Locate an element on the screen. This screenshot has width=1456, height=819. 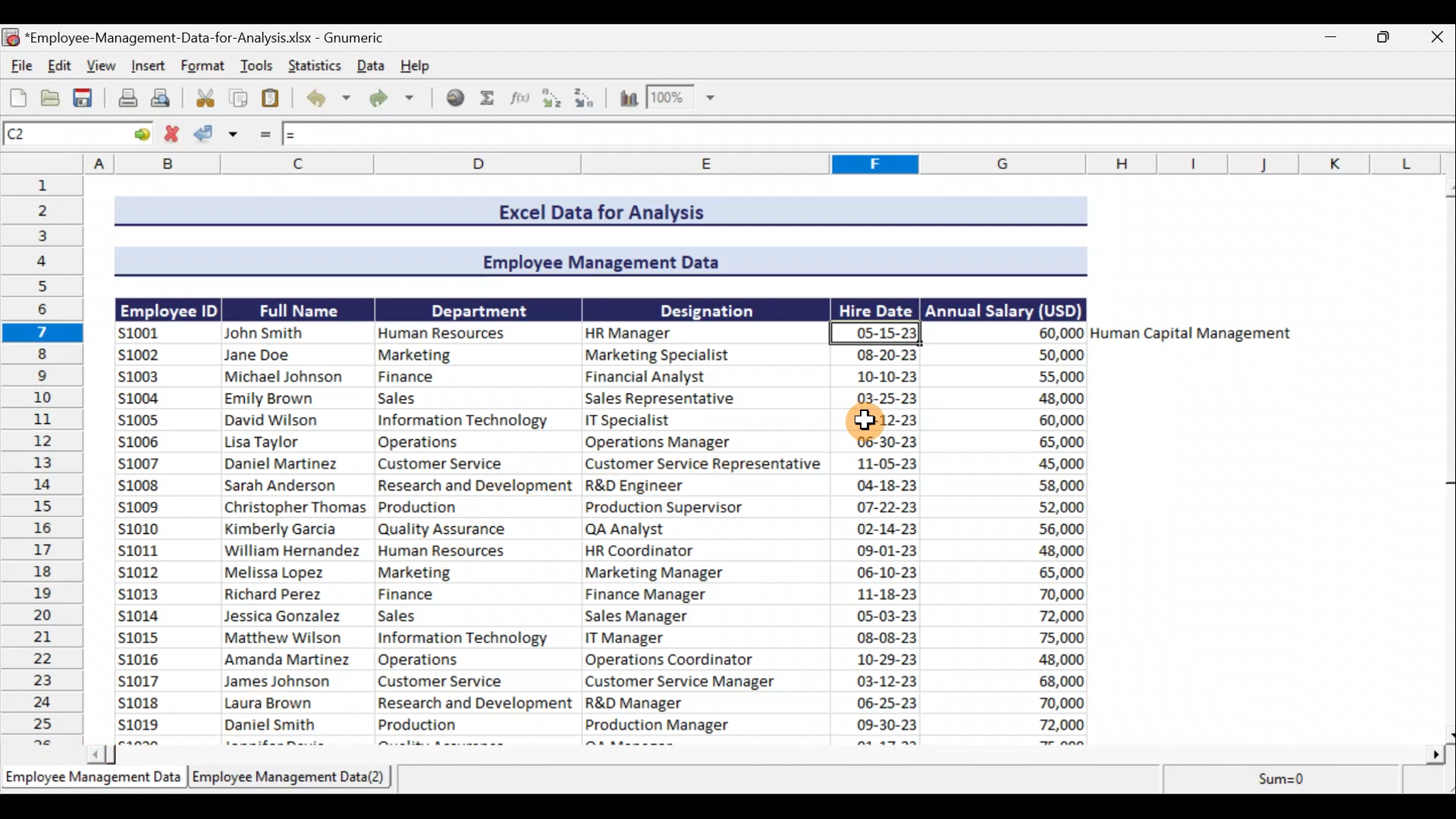
Scroll bar is located at coordinates (1446, 459).